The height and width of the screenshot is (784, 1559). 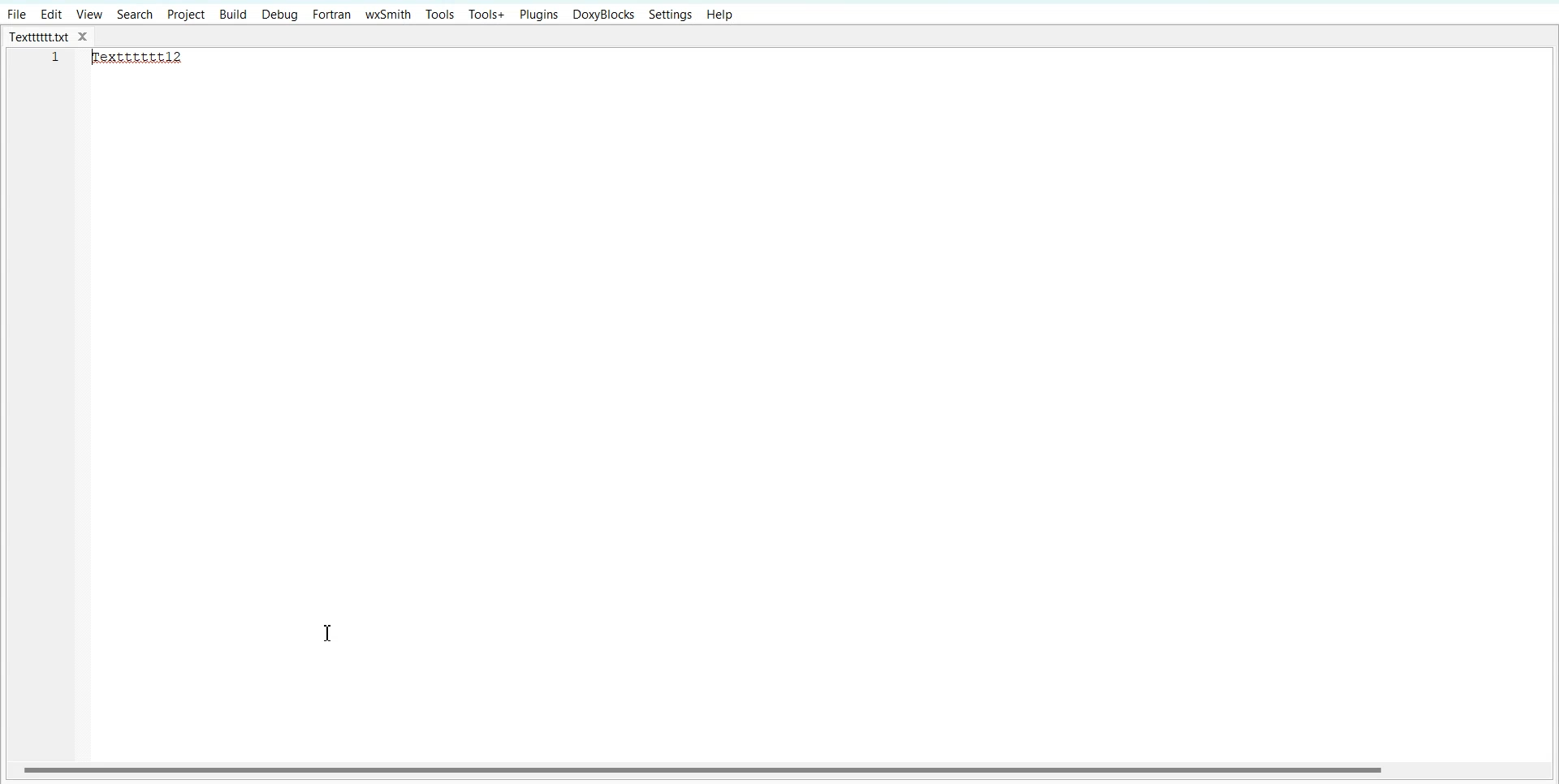 I want to click on Texttttttl2, so click(x=146, y=58).